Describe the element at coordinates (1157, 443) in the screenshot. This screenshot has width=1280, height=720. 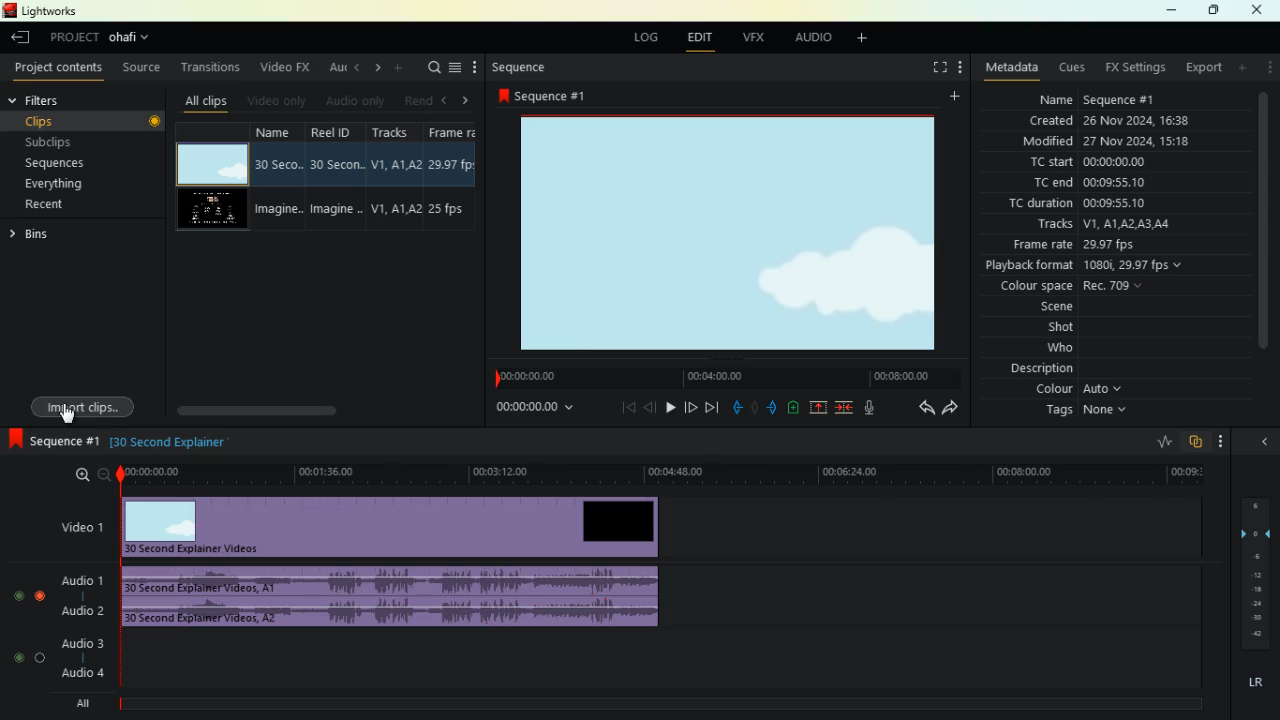
I see `rate` at that location.